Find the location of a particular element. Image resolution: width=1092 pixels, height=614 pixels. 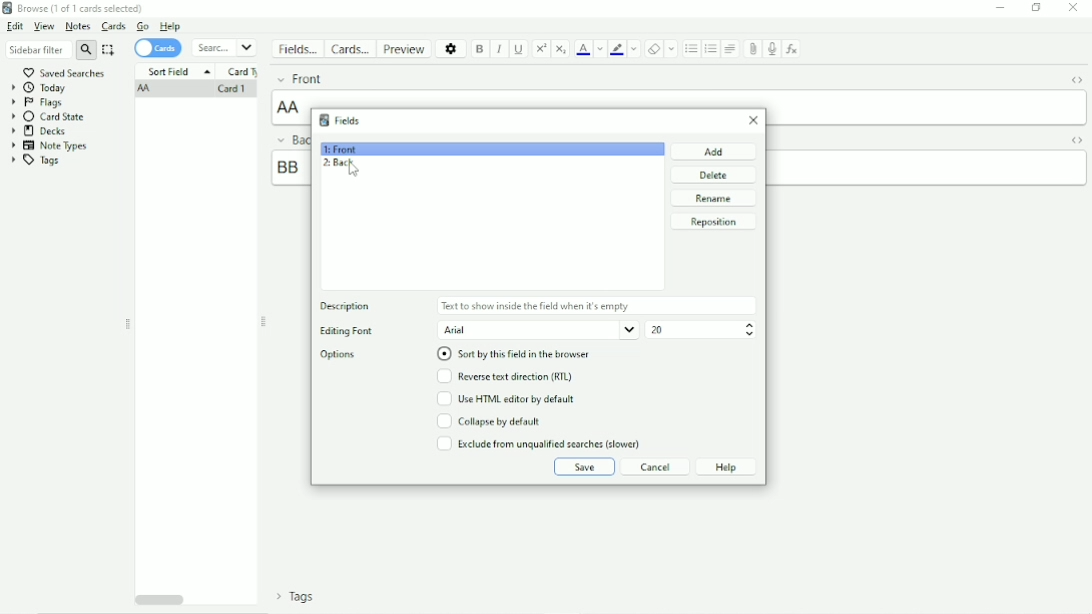

Note Types is located at coordinates (50, 146).